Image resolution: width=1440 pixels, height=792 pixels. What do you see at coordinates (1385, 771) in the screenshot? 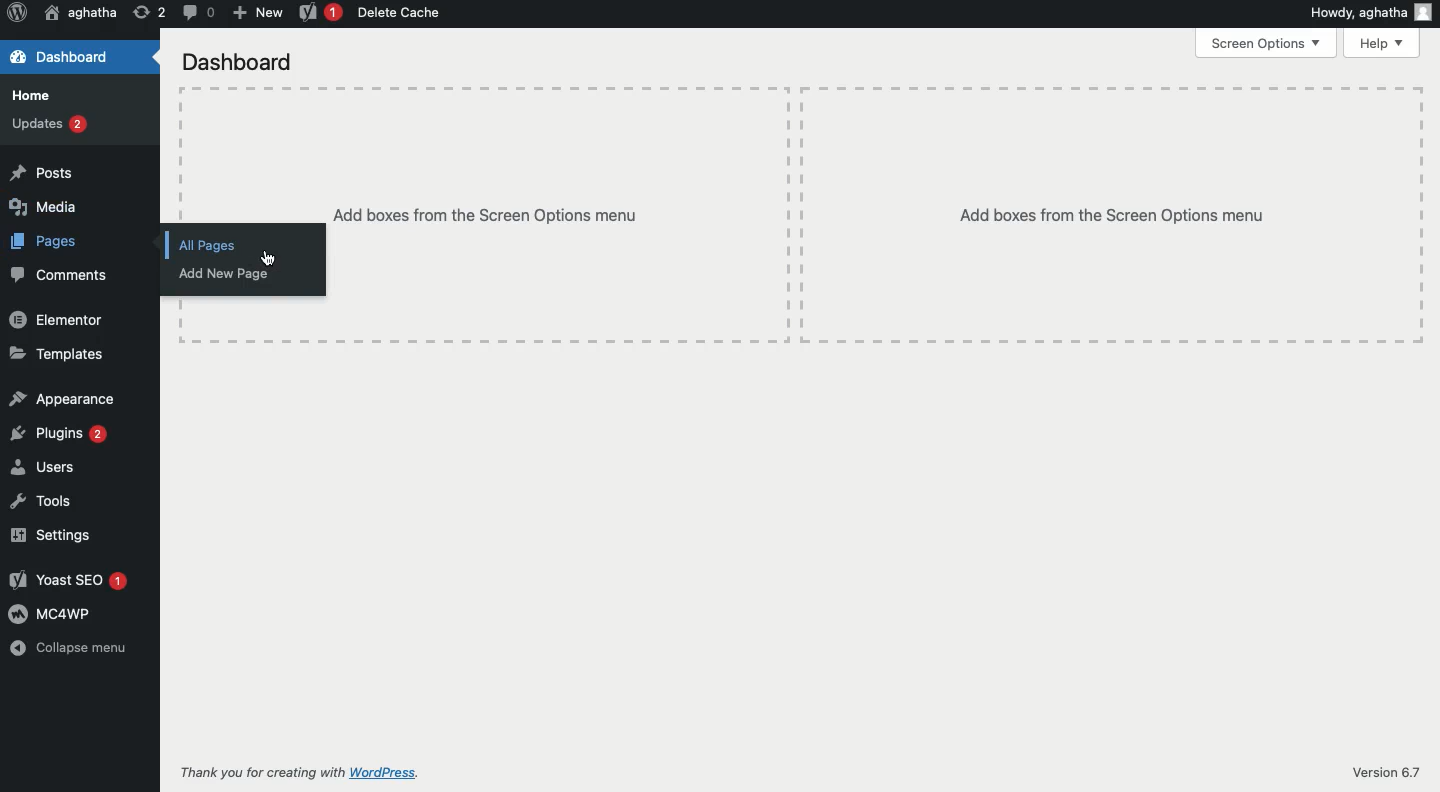
I see `Version 6.7` at bounding box center [1385, 771].